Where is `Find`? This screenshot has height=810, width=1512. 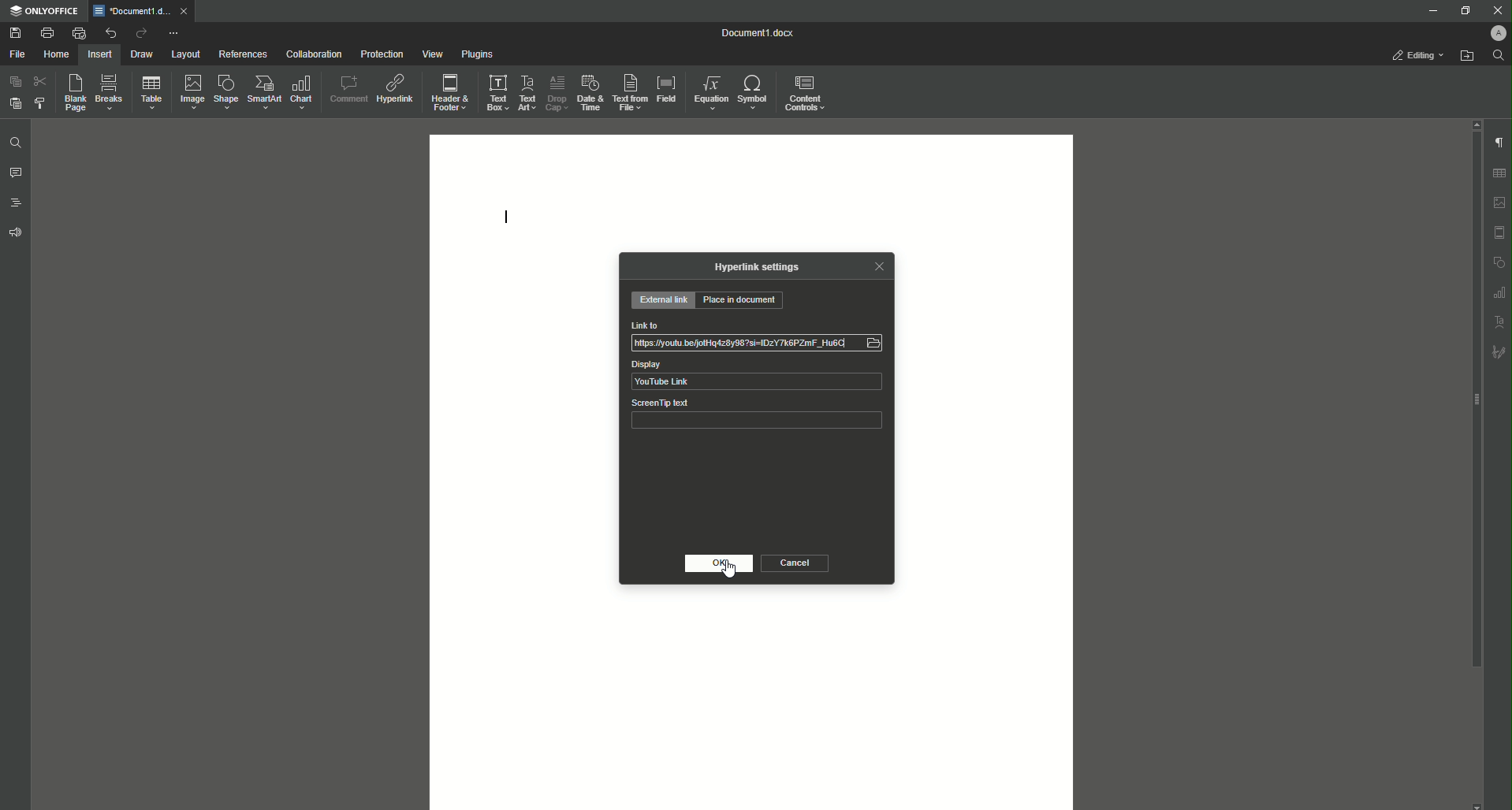 Find is located at coordinates (1499, 55).